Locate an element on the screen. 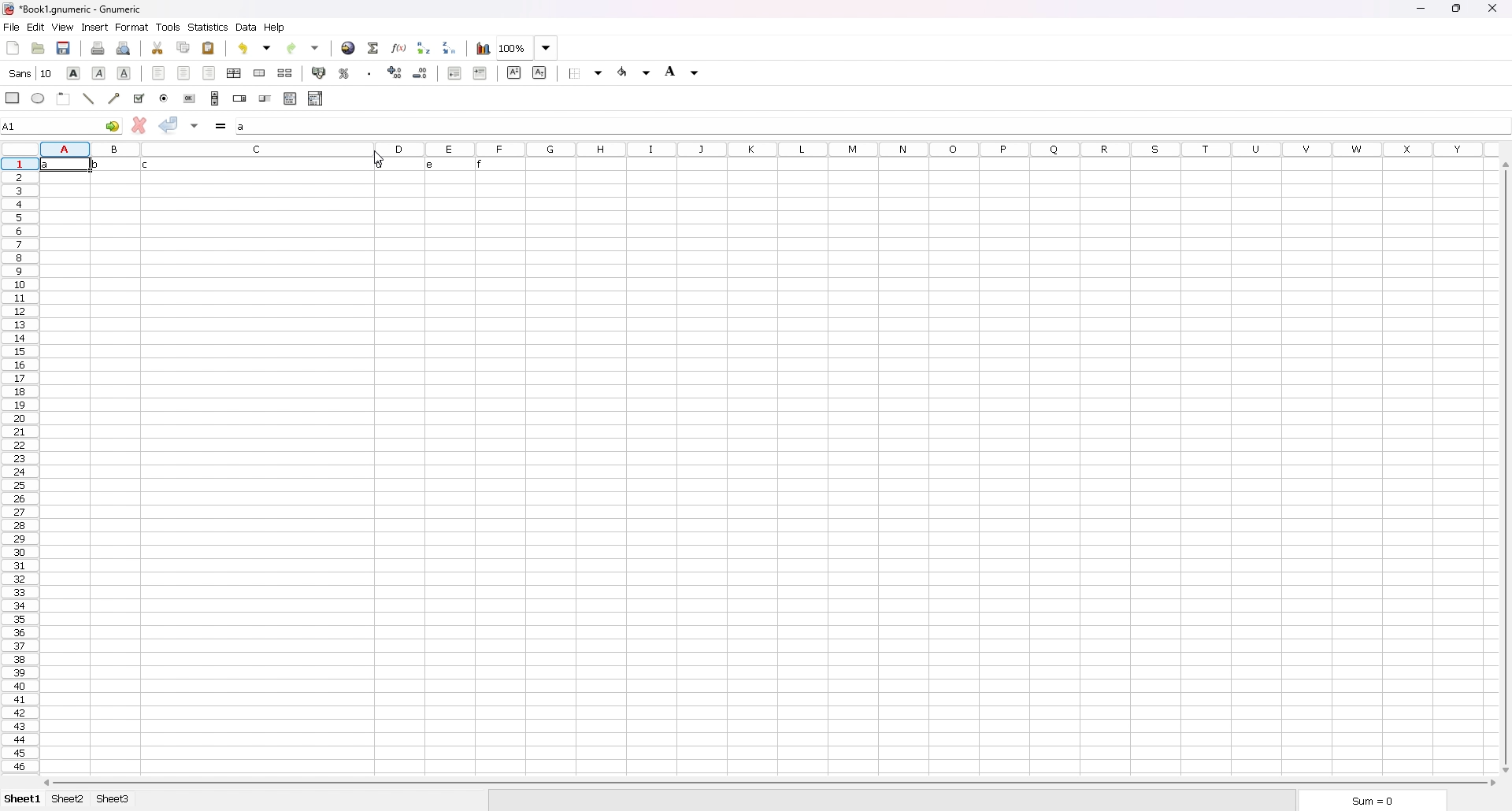  increase indent is located at coordinates (480, 72).